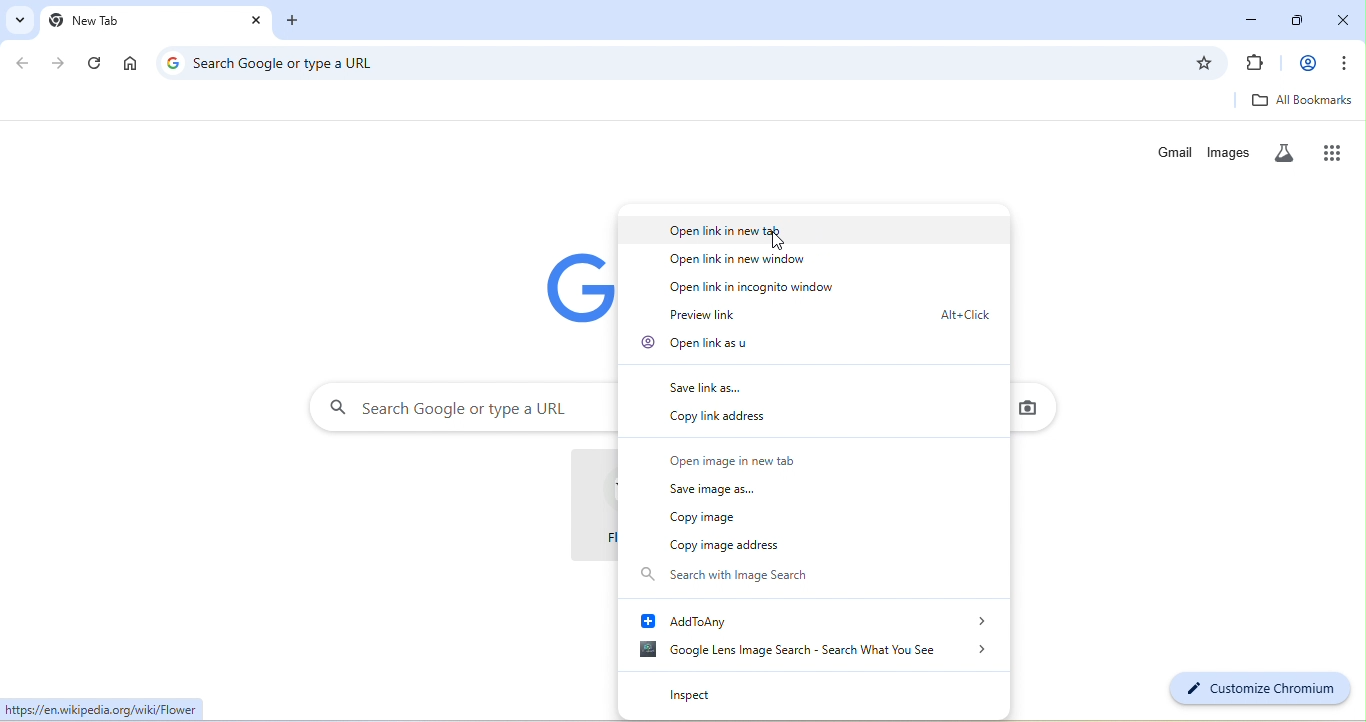 The image size is (1366, 722). I want to click on open link in incognito window, so click(744, 287).